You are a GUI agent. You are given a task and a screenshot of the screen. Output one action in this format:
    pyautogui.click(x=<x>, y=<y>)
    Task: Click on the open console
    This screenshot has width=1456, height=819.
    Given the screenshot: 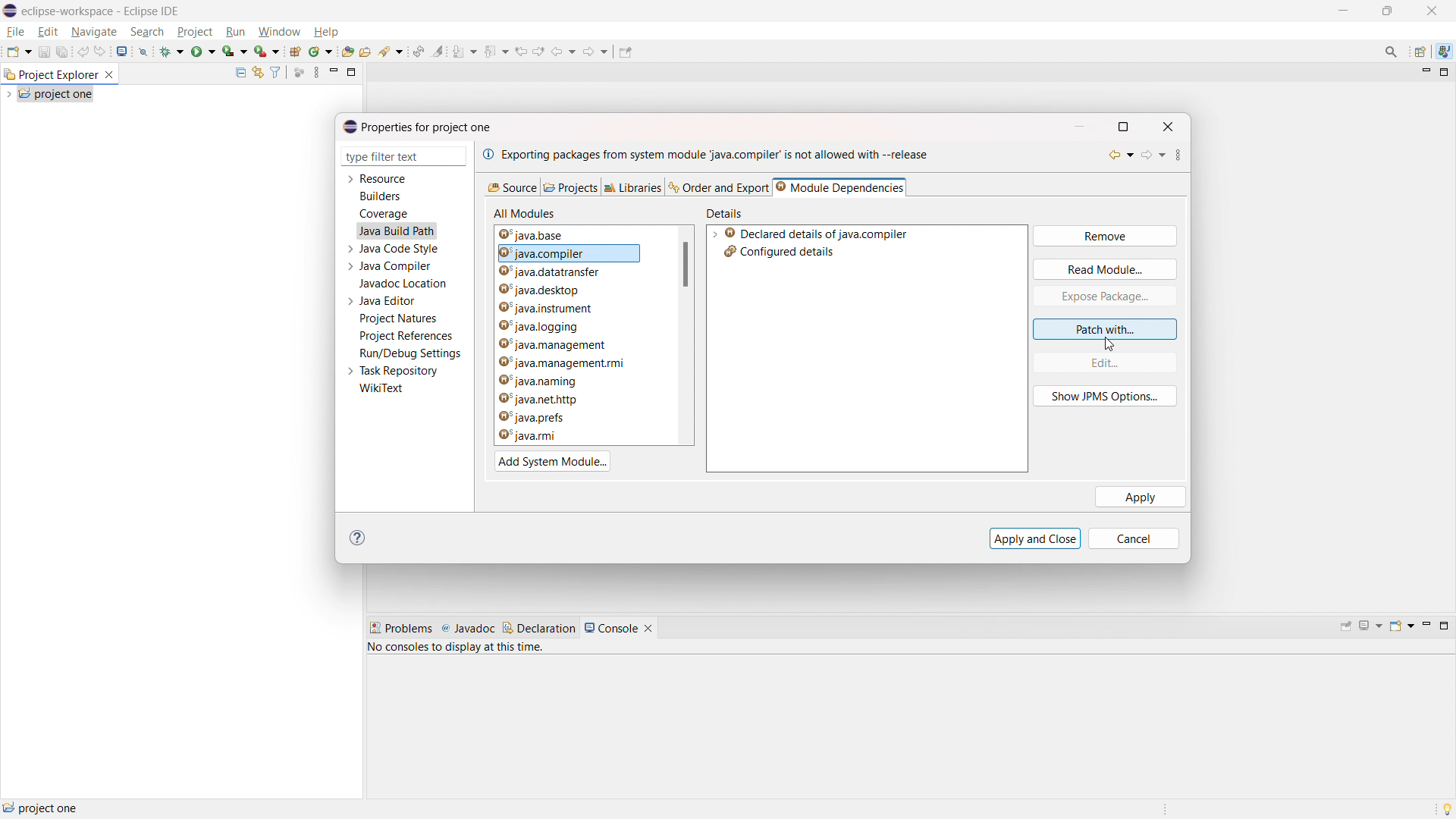 What is the action you would take?
    pyautogui.click(x=1401, y=626)
    